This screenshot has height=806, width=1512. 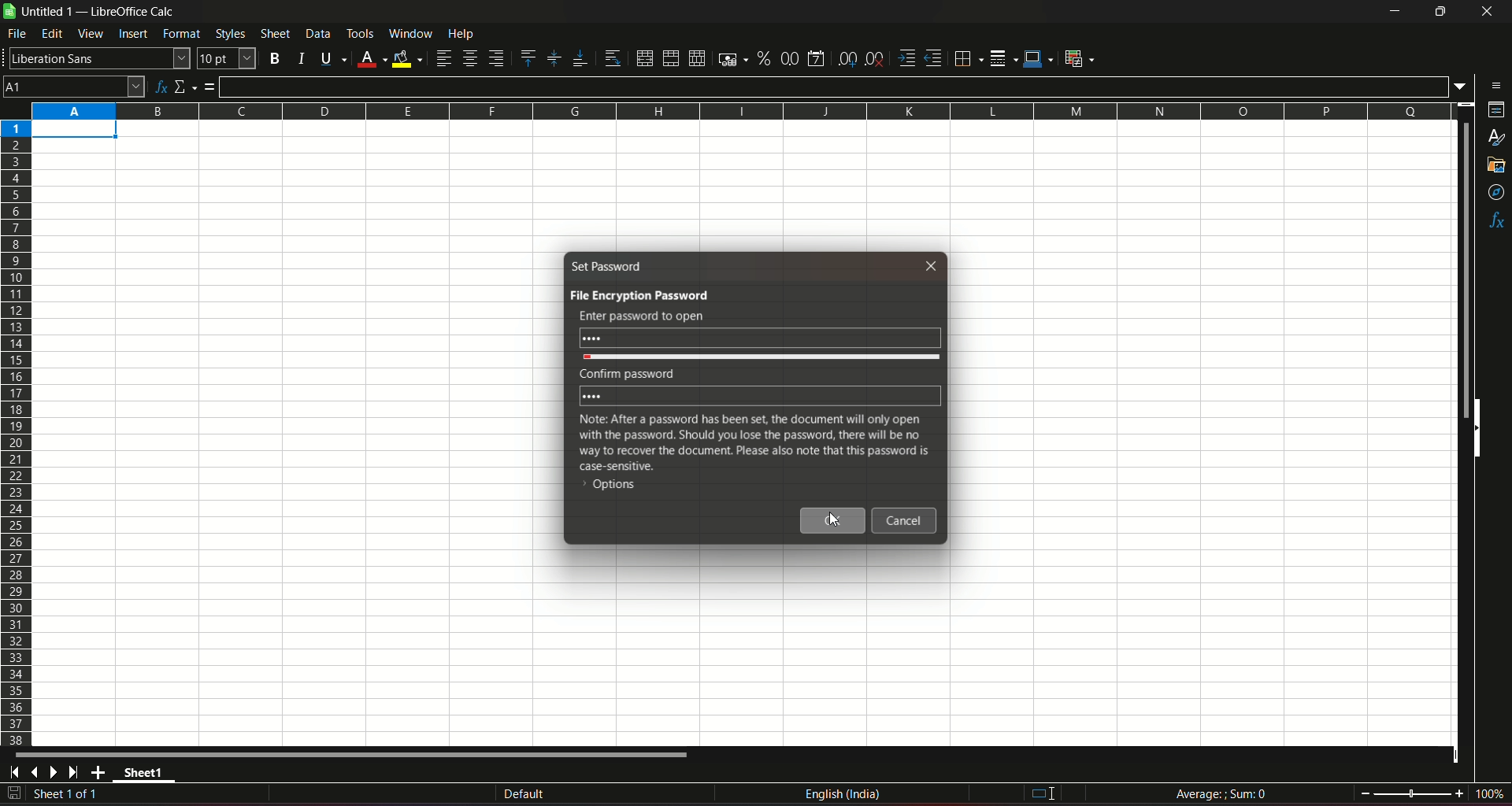 I want to click on name box, so click(x=74, y=86).